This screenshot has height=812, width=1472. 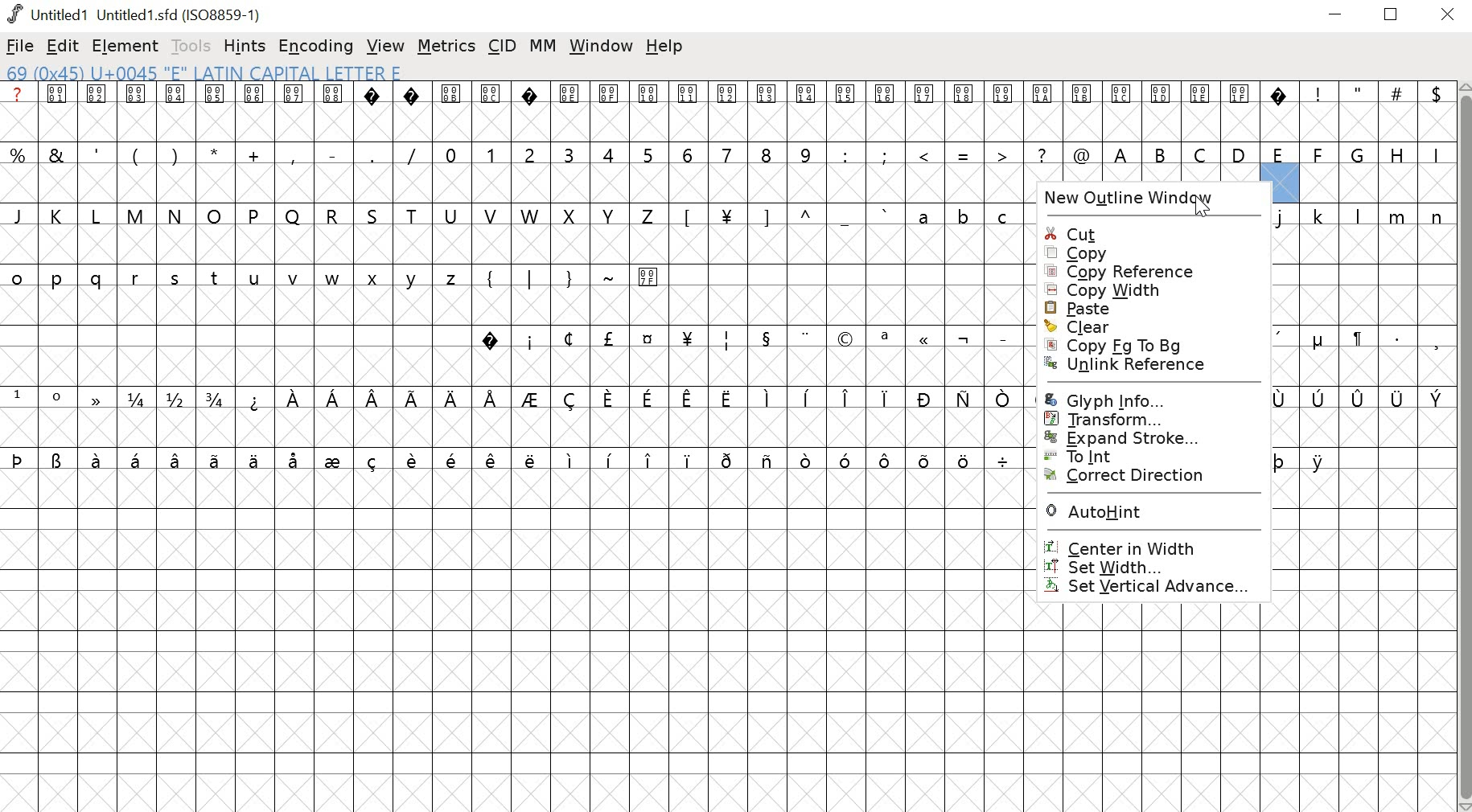 I want to click on view, so click(x=386, y=46).